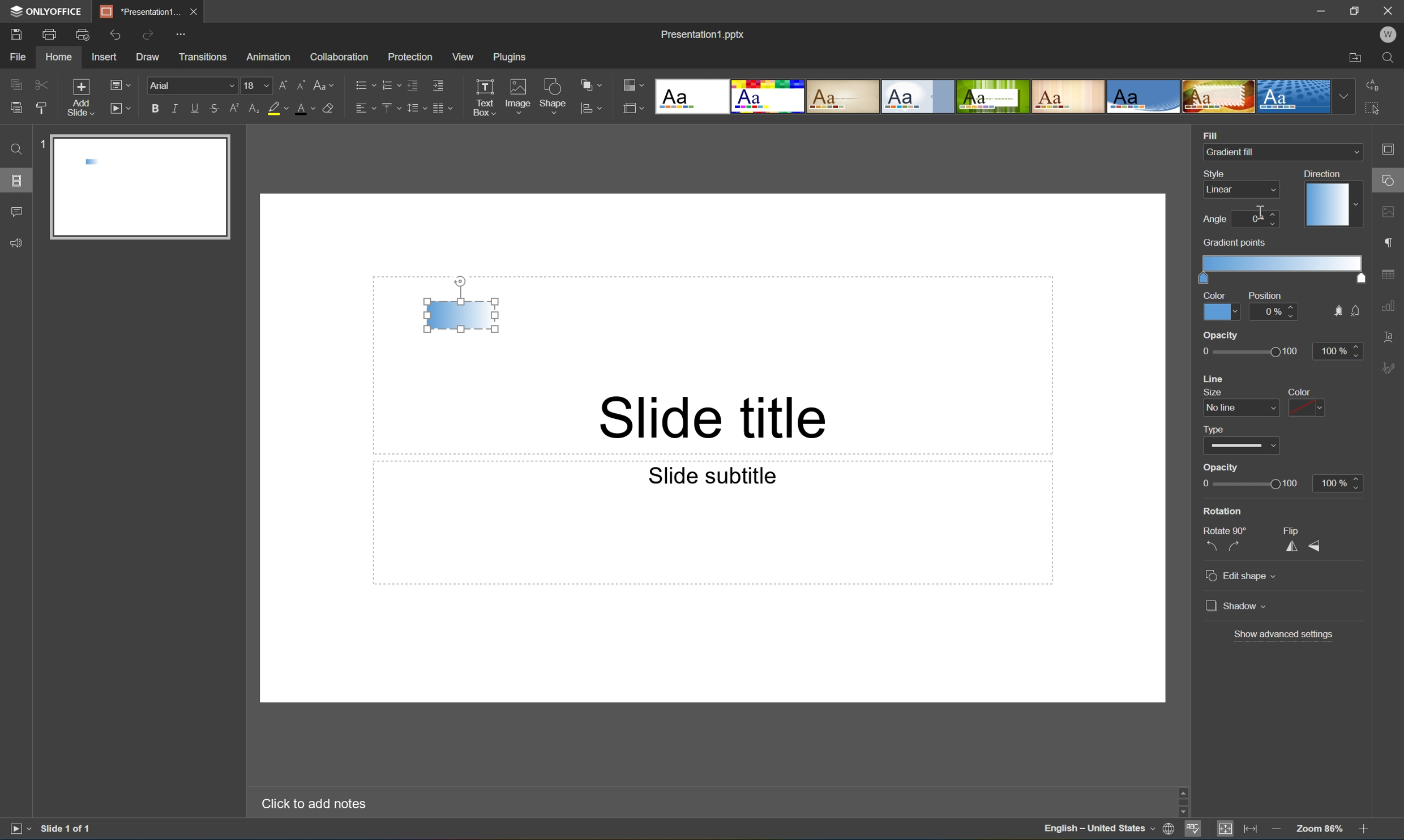  What do you see at coordinates (44, 11) in the screenshot?
I see `ONYOFFICE` at bounding box center [44, 11].